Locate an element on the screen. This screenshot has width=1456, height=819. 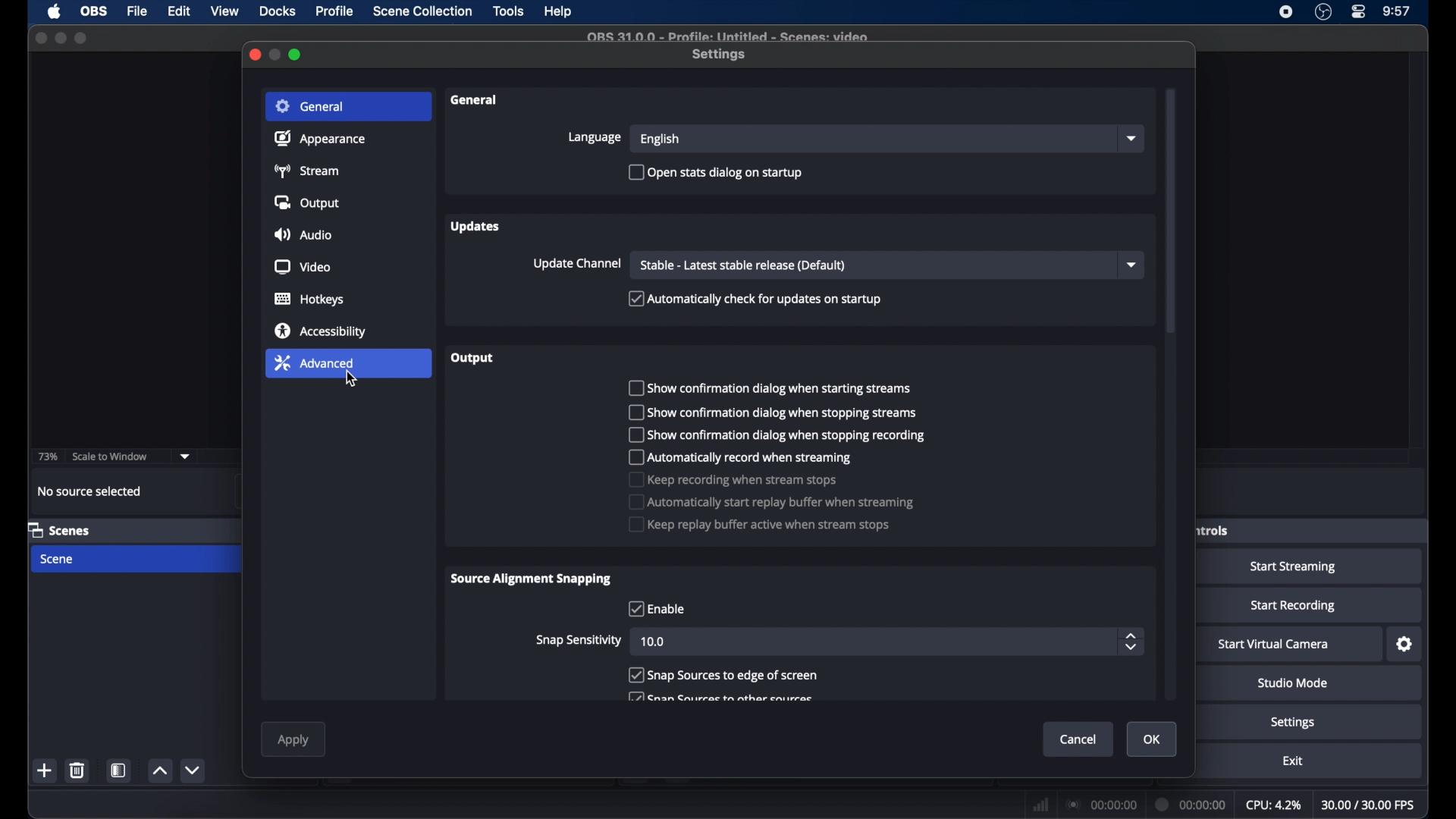
dropdown is located at coordinates (1133, 265).